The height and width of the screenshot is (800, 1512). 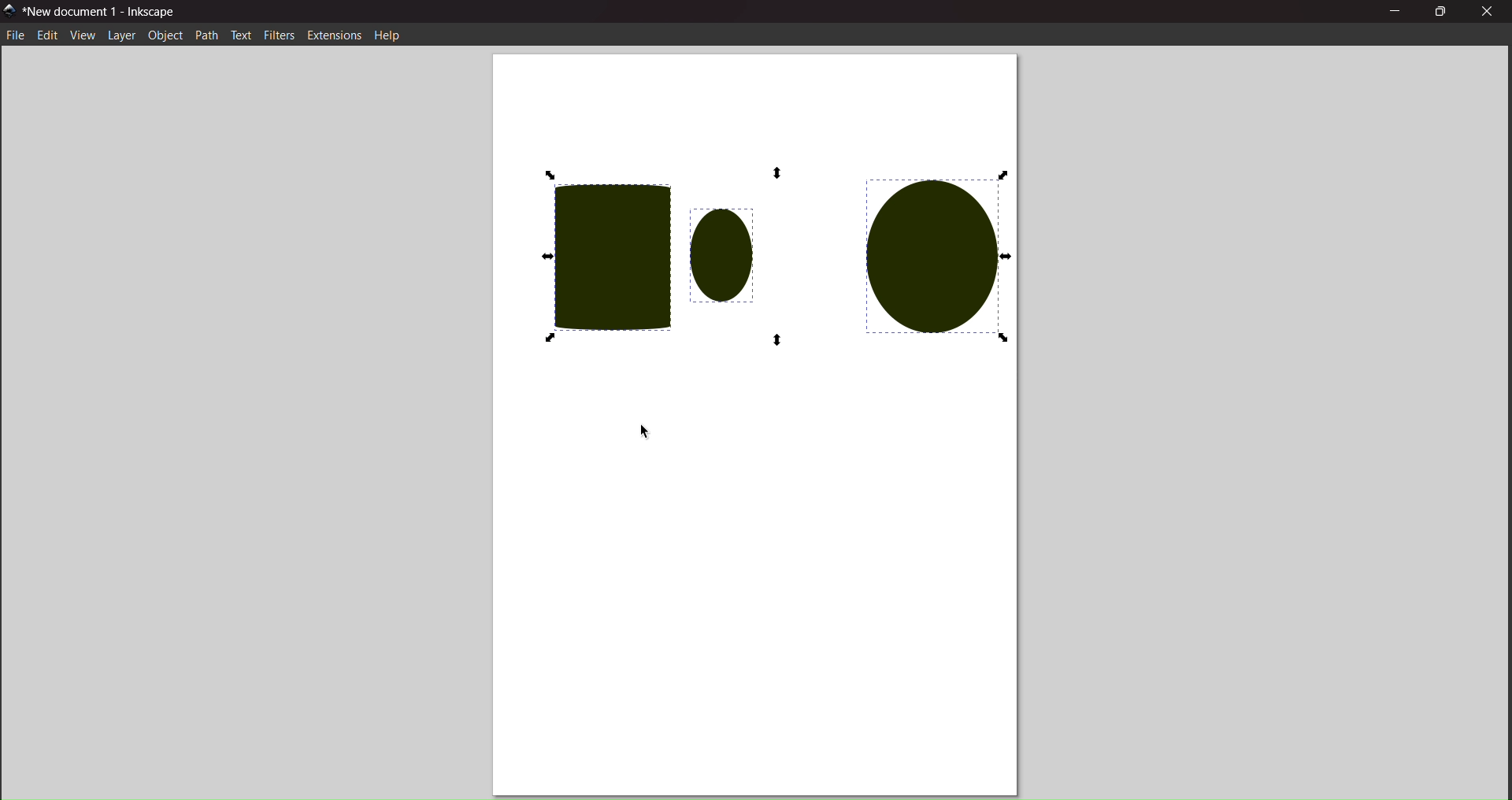 I want to click on maximize, so click(x=1439, y=13).